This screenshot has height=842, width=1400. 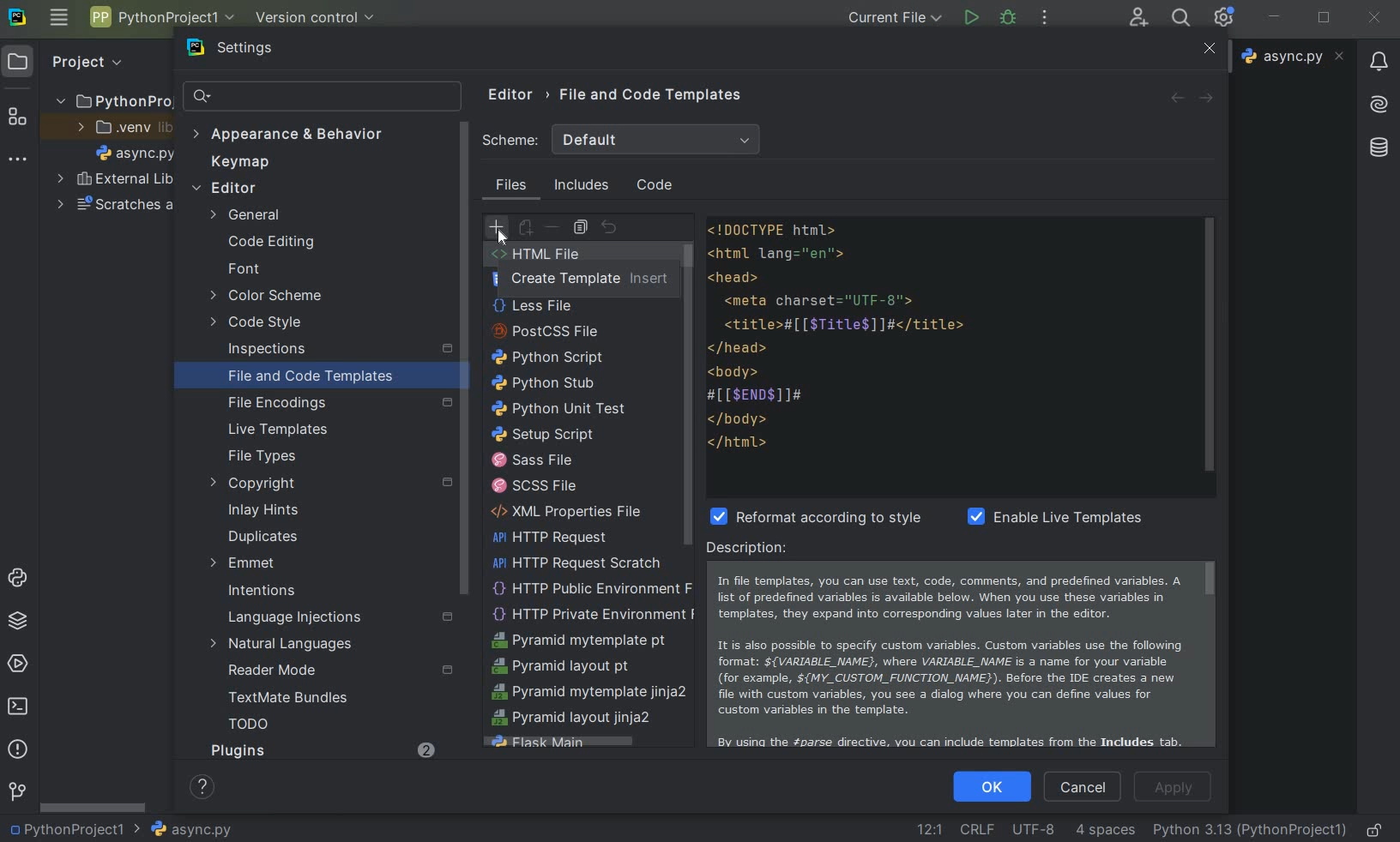 I want to click on HTTP Request scratch, so click(x=577, y=564).